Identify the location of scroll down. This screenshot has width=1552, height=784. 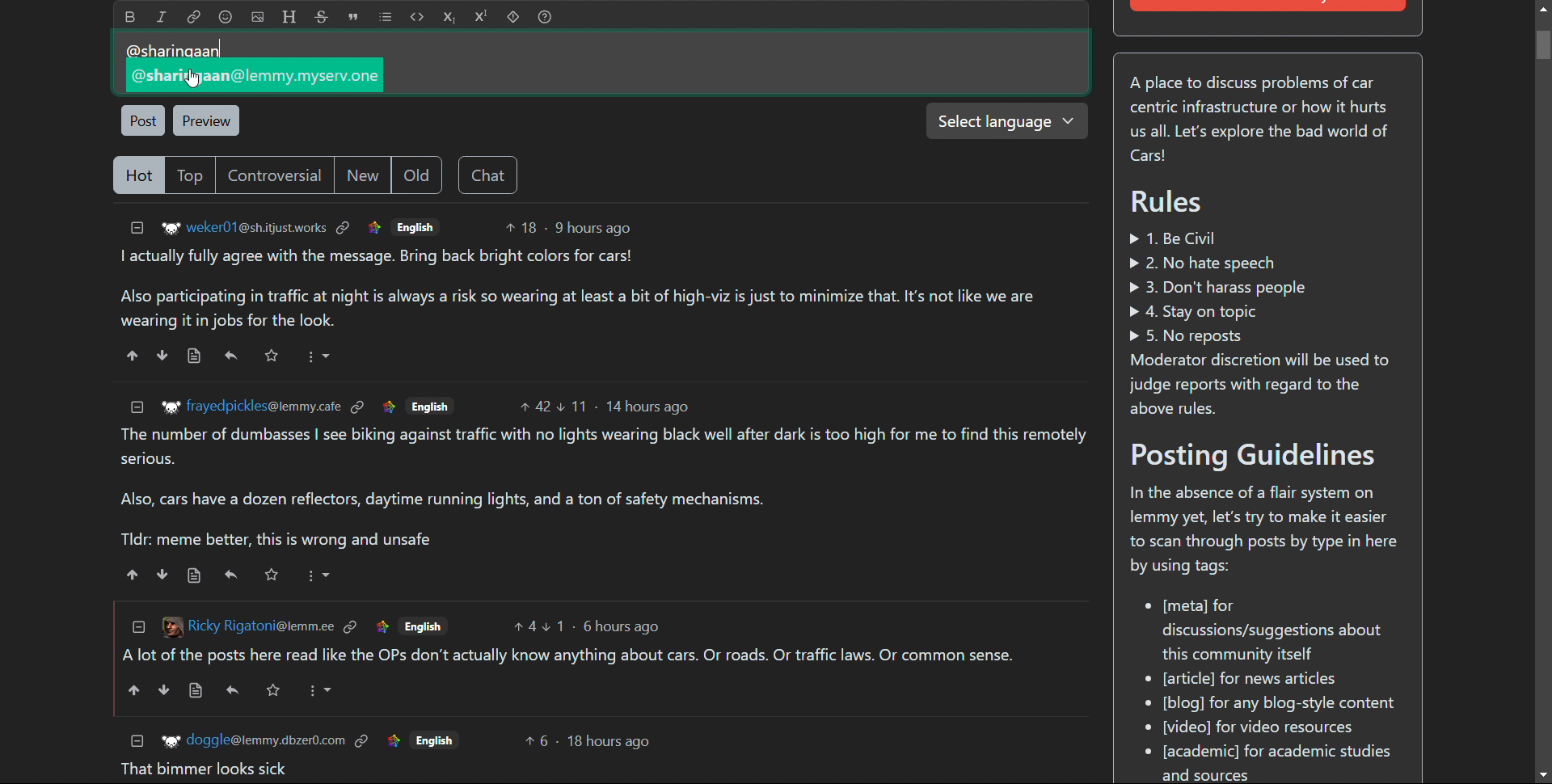
(1542, 775).